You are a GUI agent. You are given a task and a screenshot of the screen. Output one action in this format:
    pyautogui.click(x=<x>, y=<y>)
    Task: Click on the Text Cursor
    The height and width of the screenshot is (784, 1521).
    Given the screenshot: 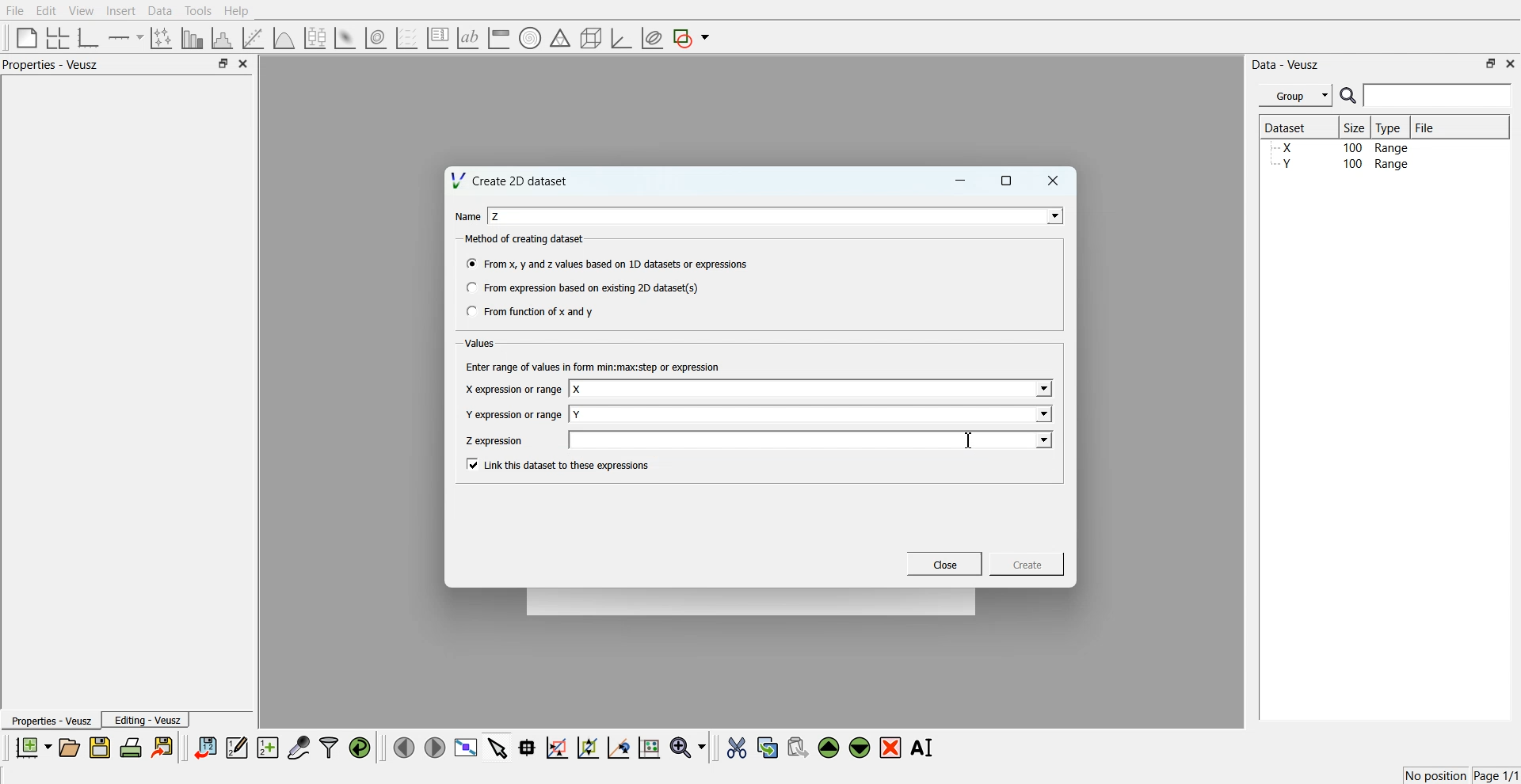 What is the action you would take?
    pyautogui.click(x=971, y=440)
    